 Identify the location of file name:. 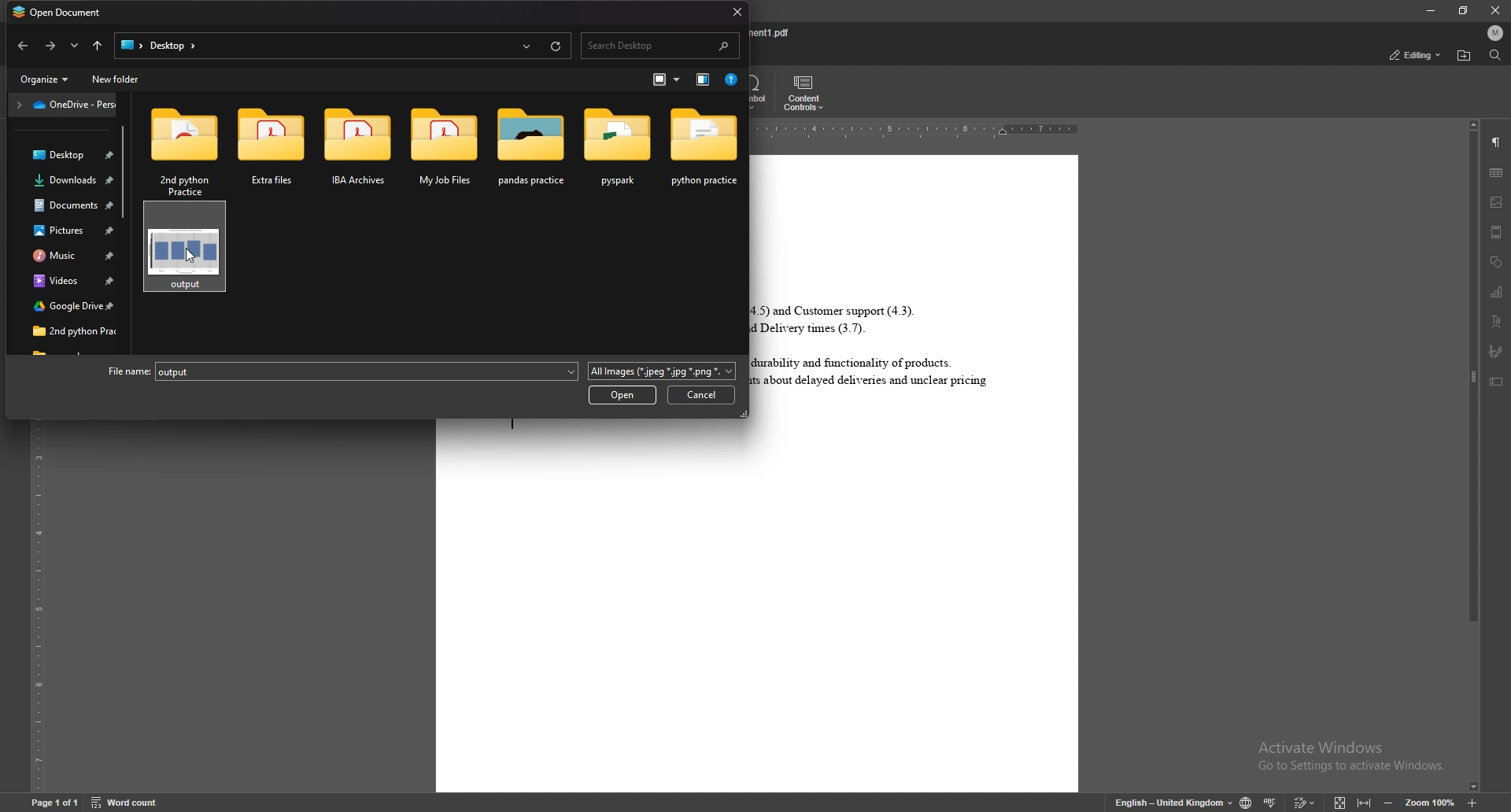
(124, 370).